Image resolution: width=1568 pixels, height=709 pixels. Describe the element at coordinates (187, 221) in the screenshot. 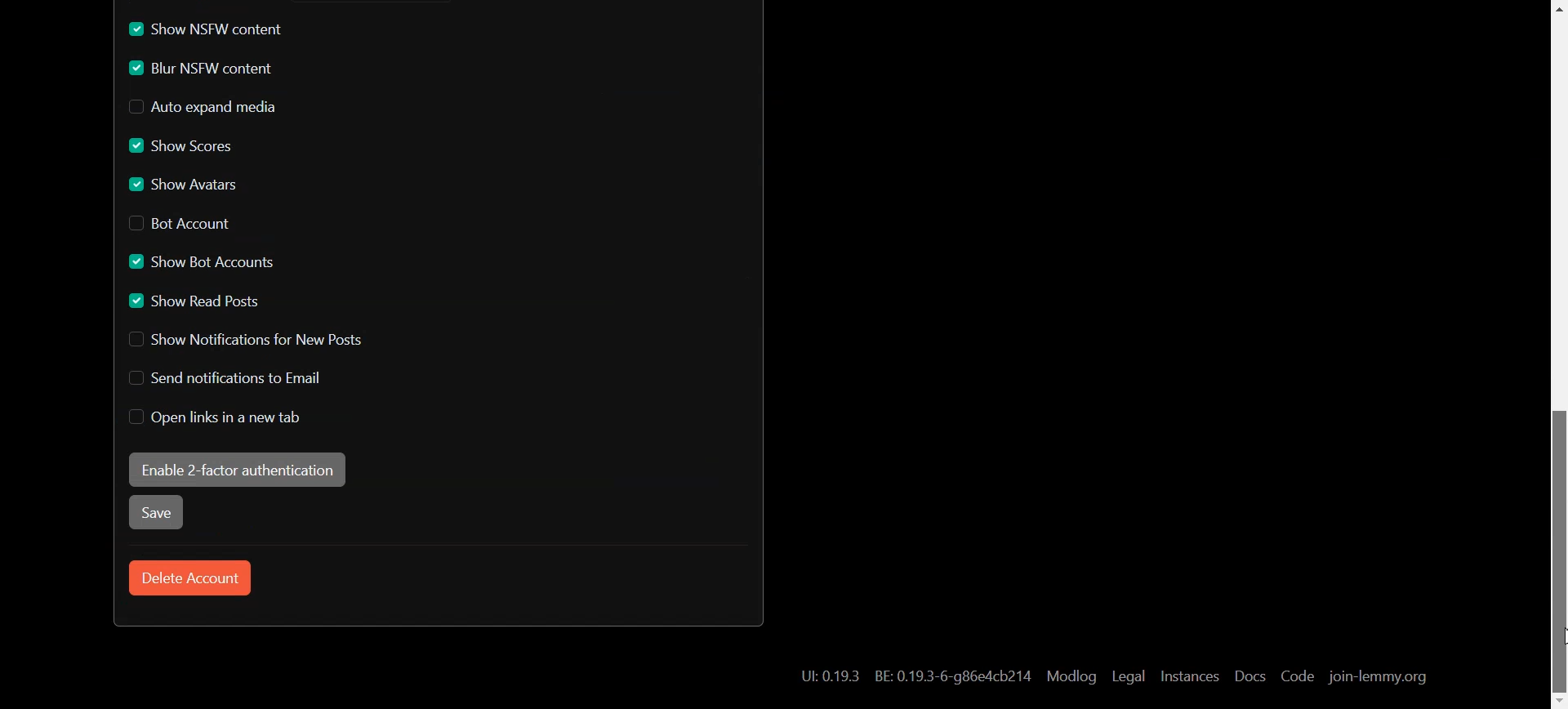

I see `Disable Bot Account` at that location.